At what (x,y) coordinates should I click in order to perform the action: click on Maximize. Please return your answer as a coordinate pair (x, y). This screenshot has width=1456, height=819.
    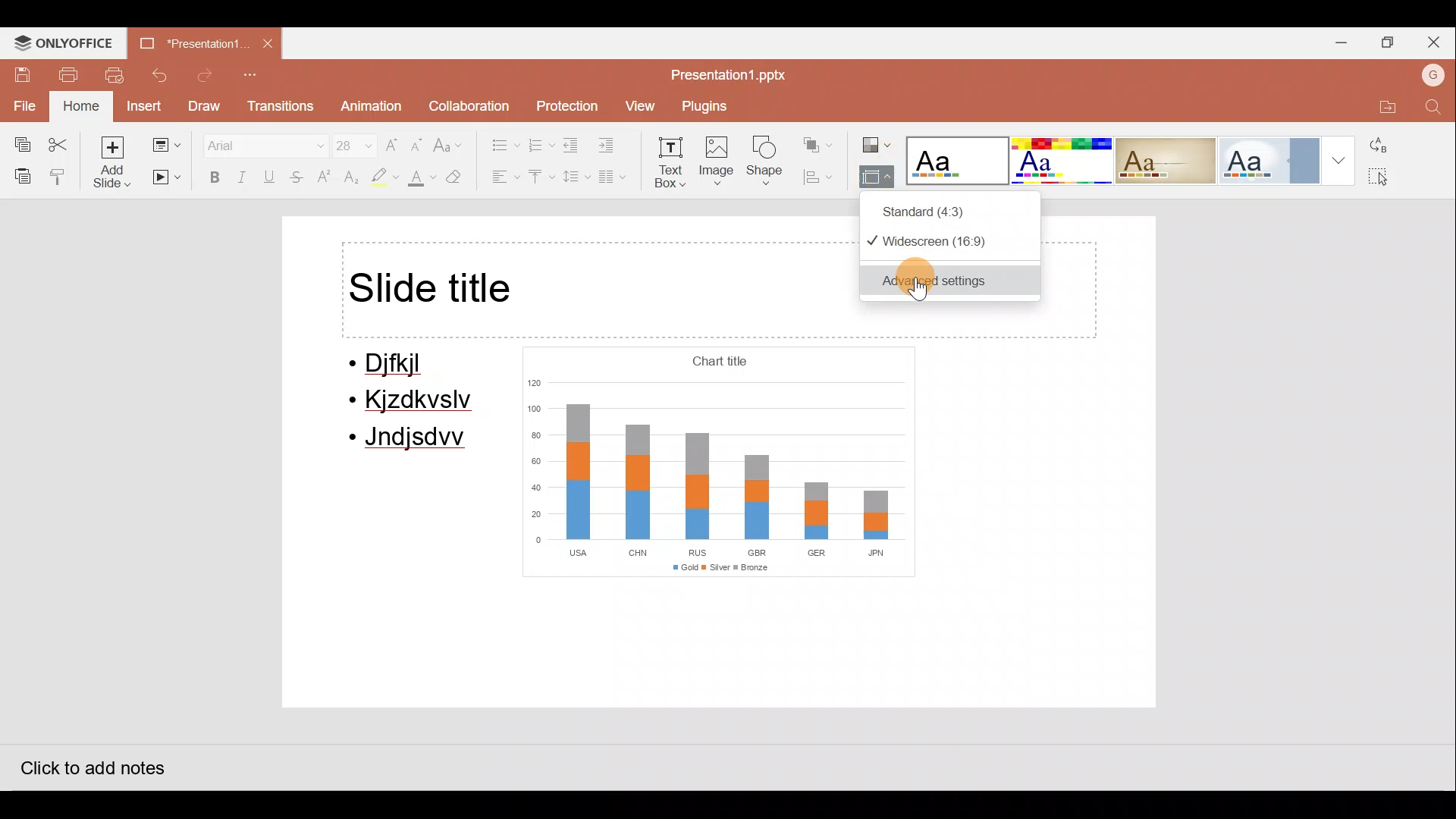
    Looking at the image, I should click on (1389, 41).